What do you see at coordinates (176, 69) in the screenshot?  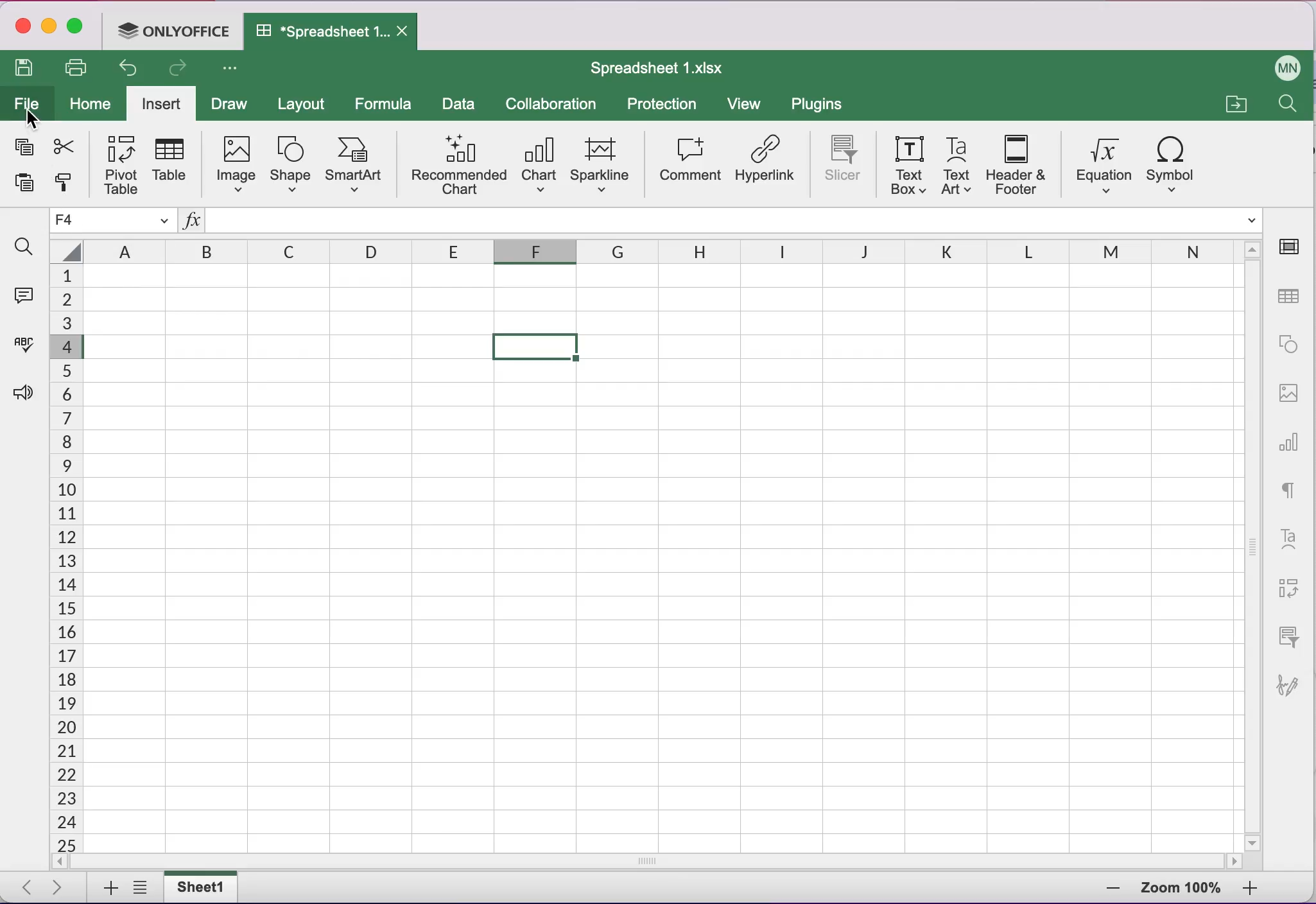 I see `forwards` at bounding box center [176, 69].